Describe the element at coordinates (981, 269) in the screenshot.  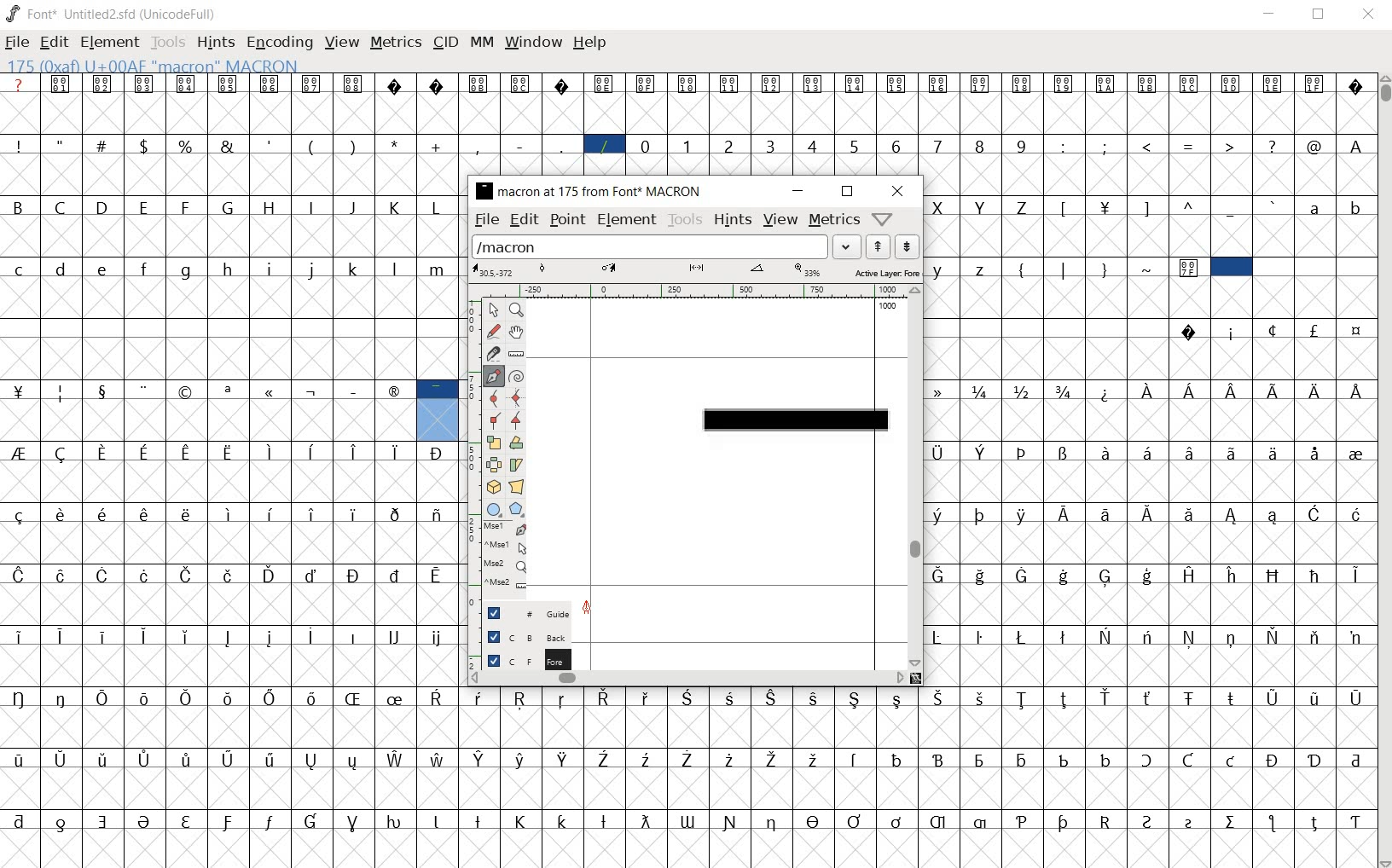
I see `z` at that location.